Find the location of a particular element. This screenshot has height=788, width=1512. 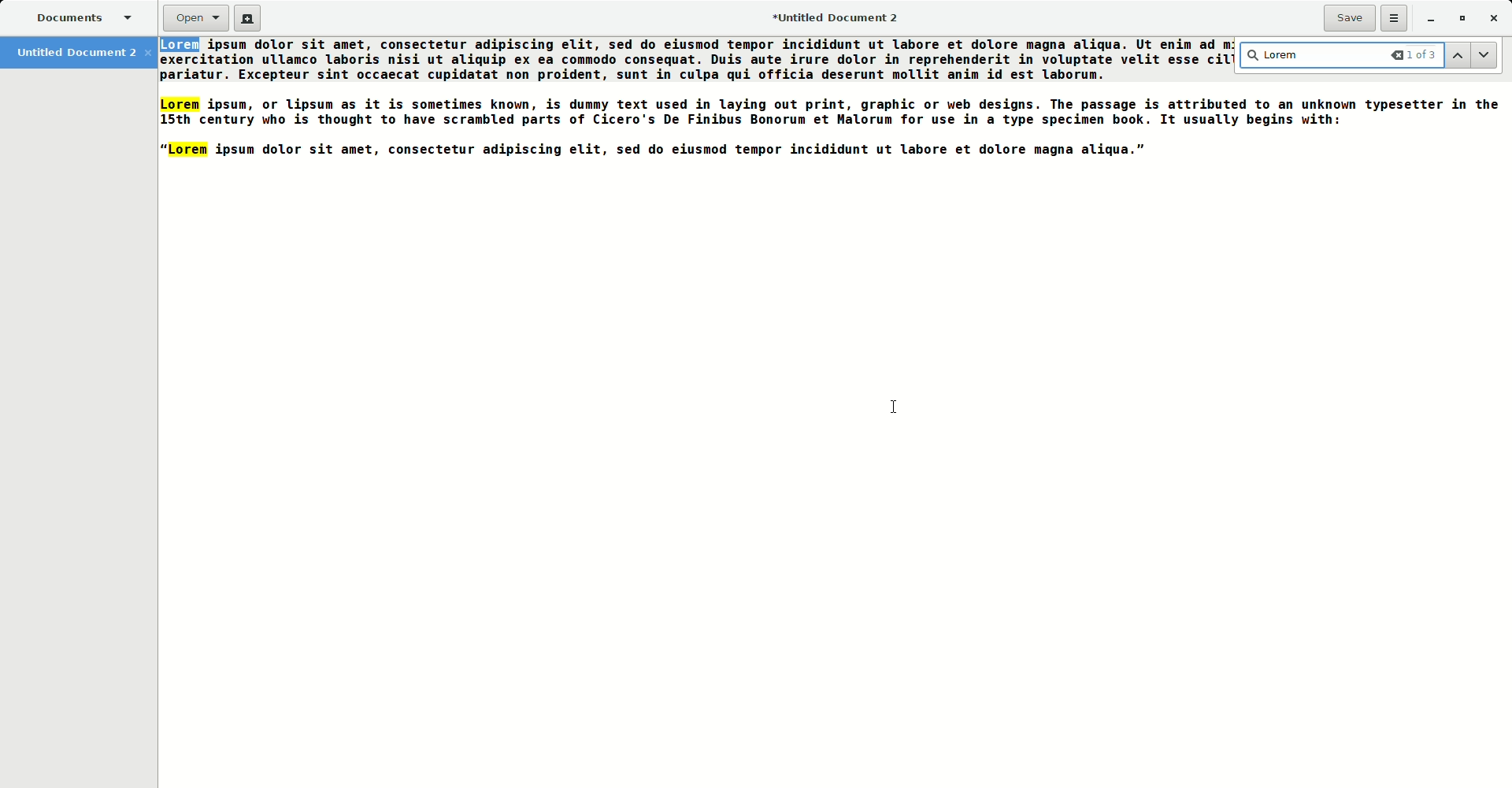

Restore is located at coordinates (1460, 18).